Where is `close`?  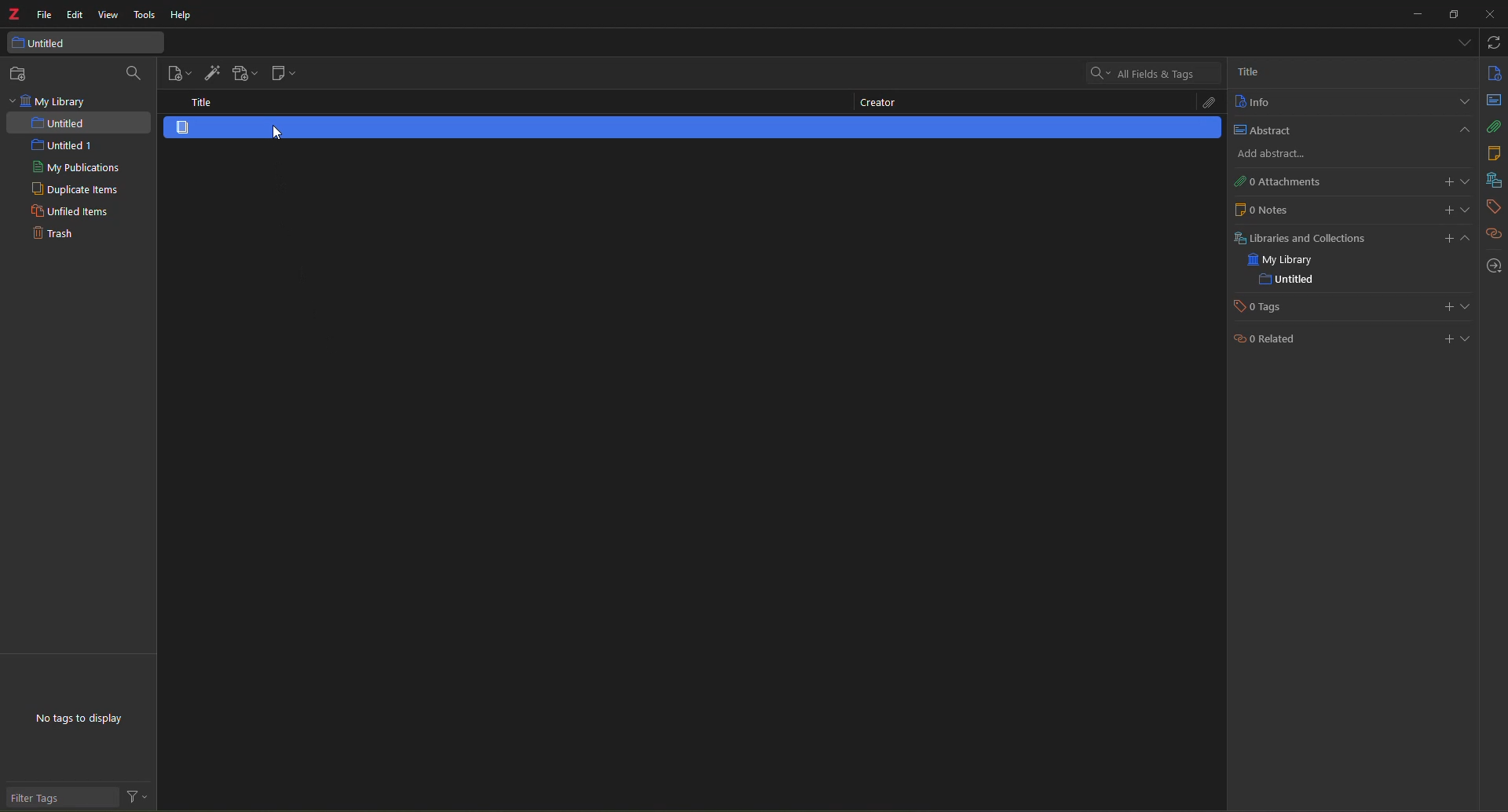
close is located at coordinates (1462, 130).